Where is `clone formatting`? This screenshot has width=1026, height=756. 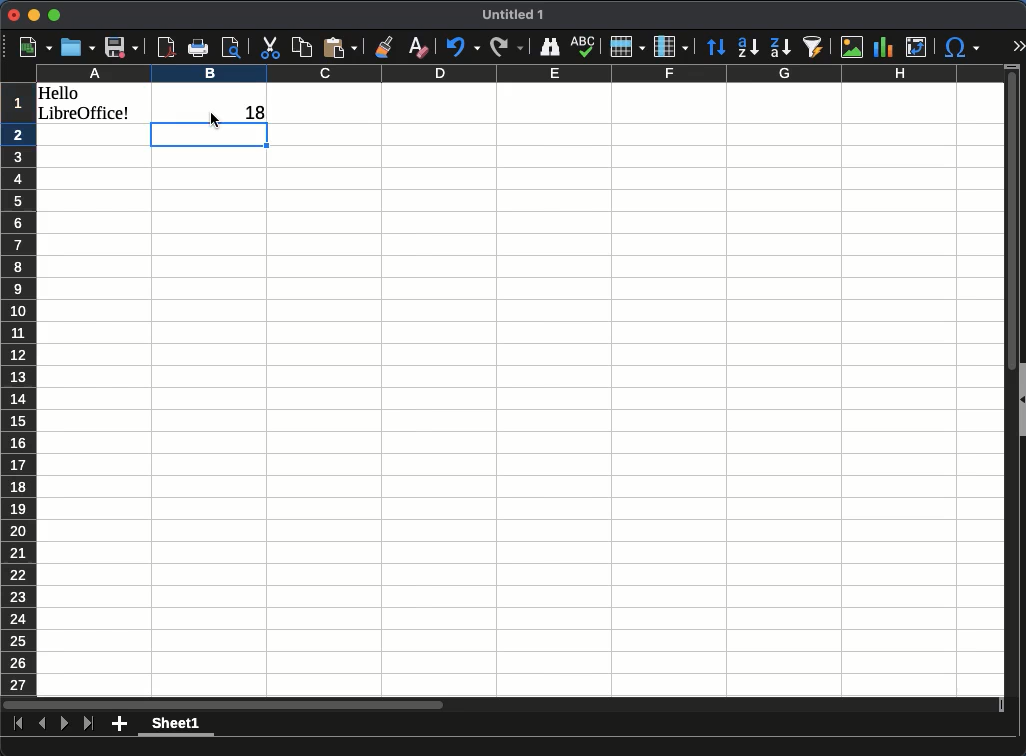
clone formatting is located at coordinates (382, 46).